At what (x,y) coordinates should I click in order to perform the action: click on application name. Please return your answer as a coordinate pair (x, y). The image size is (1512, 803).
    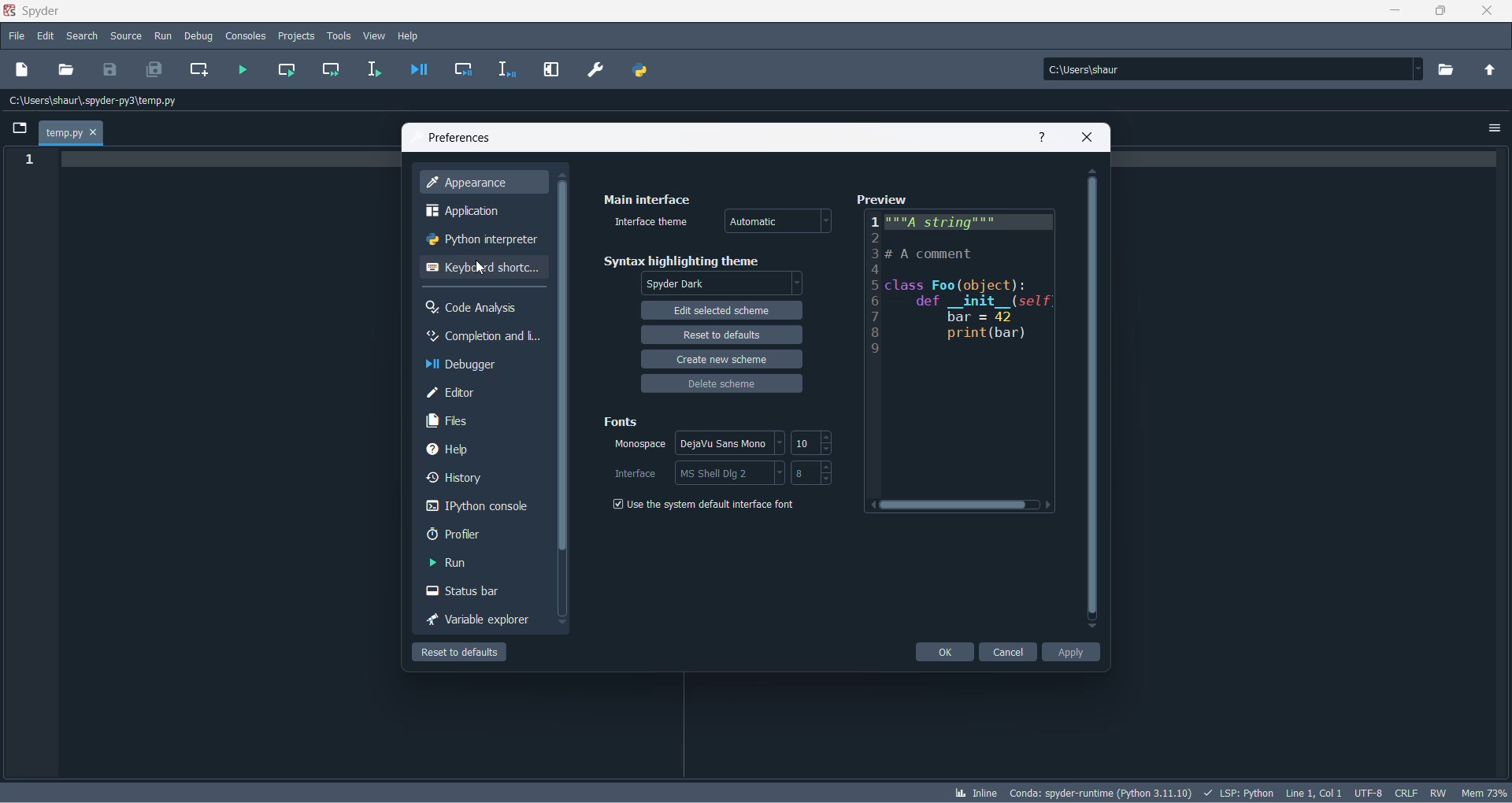
    Looking at the image, I should click on (34, 9).